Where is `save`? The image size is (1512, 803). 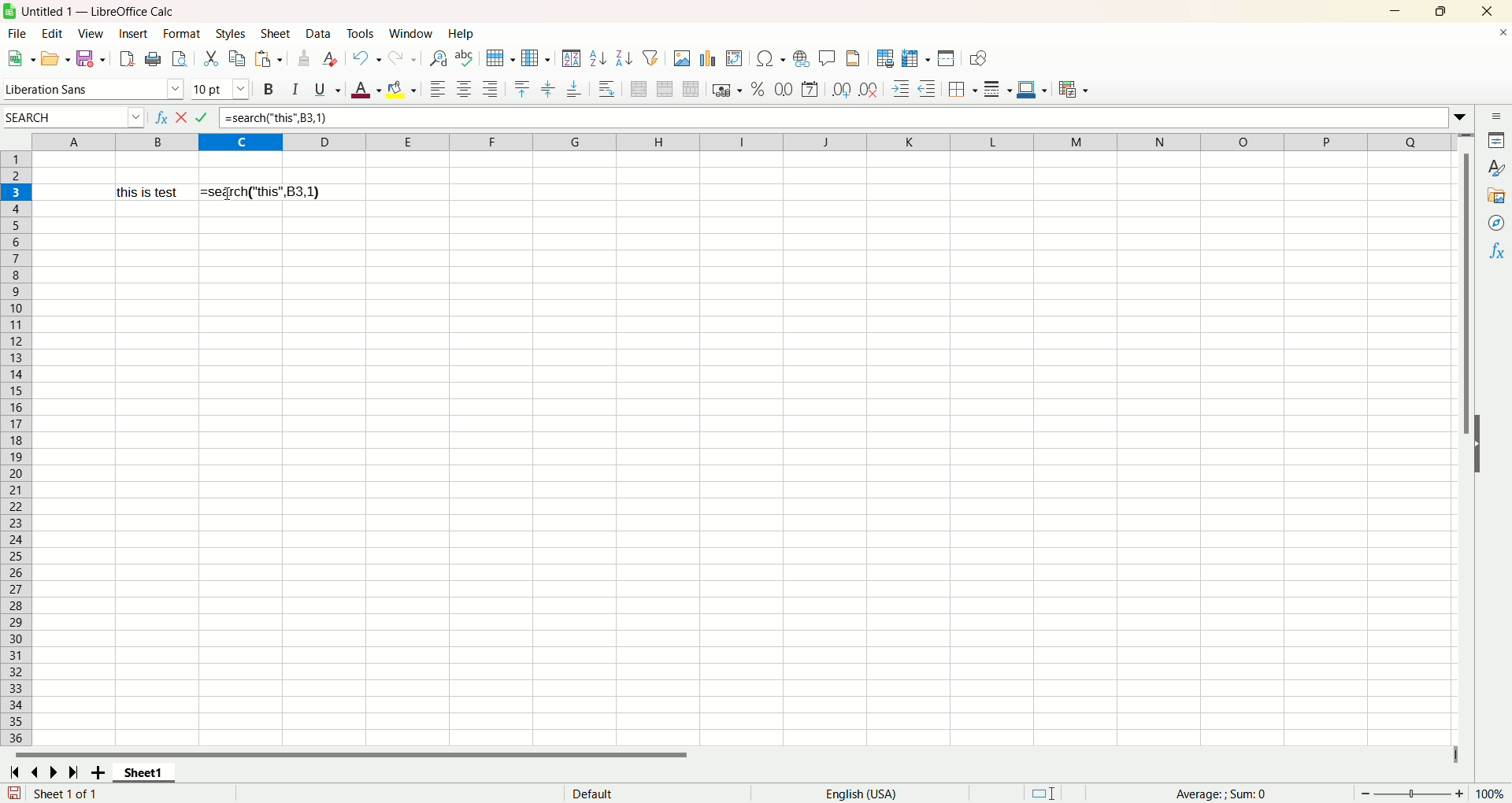 save is located at coordinates (91, 59).